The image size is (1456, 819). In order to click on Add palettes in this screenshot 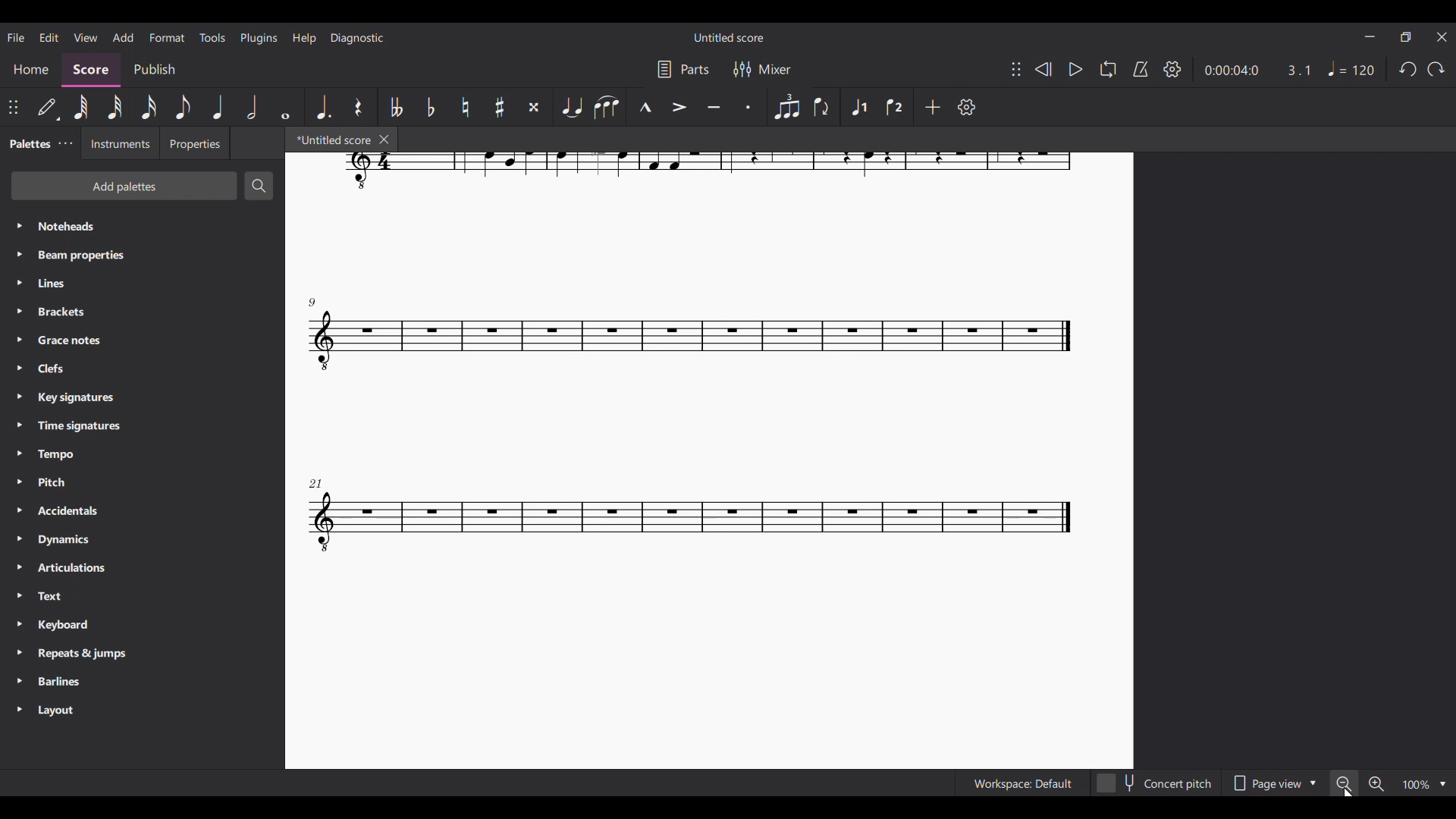, I will do `click(124, 185)`.